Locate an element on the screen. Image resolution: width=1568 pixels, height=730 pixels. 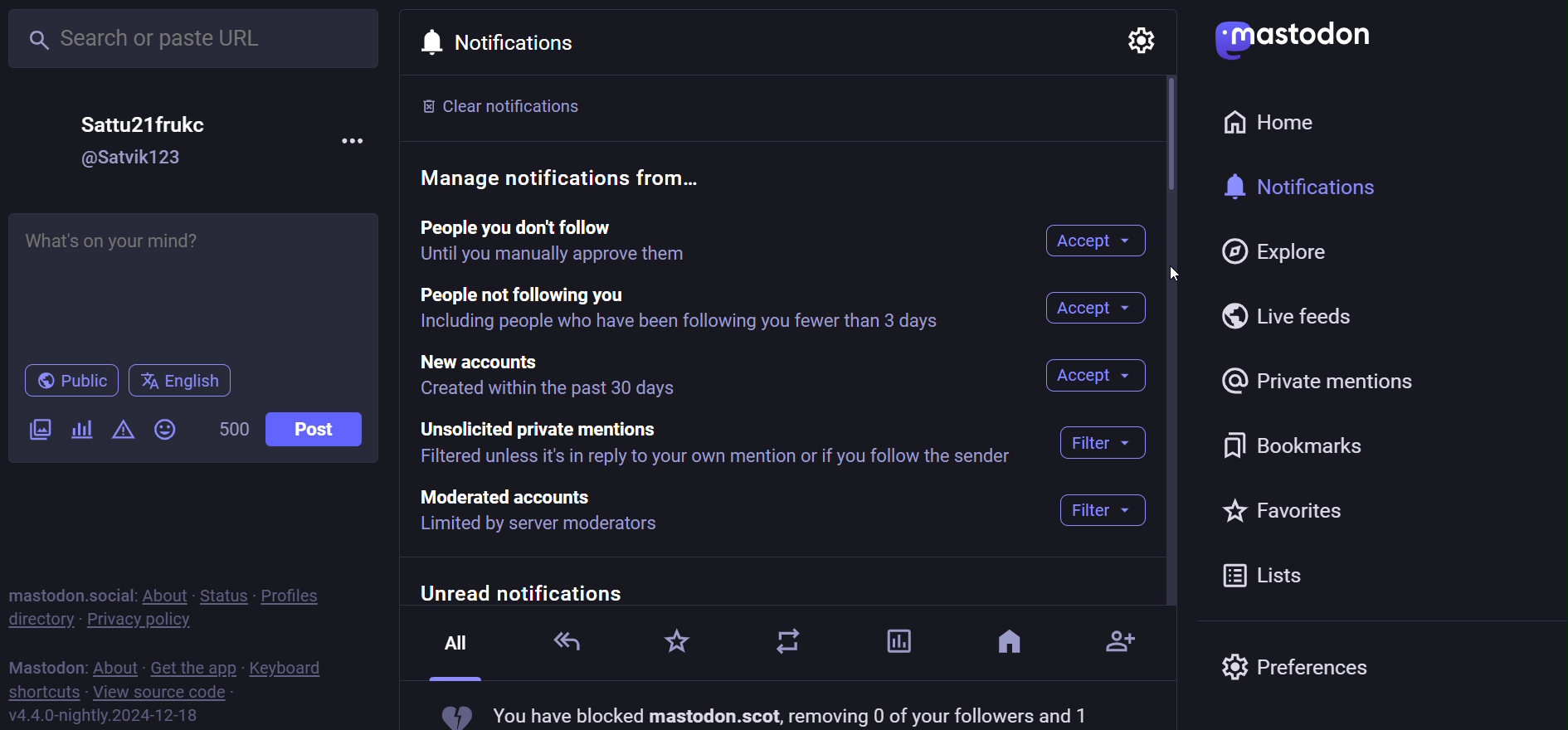
status is located at coordinates (221, 593).